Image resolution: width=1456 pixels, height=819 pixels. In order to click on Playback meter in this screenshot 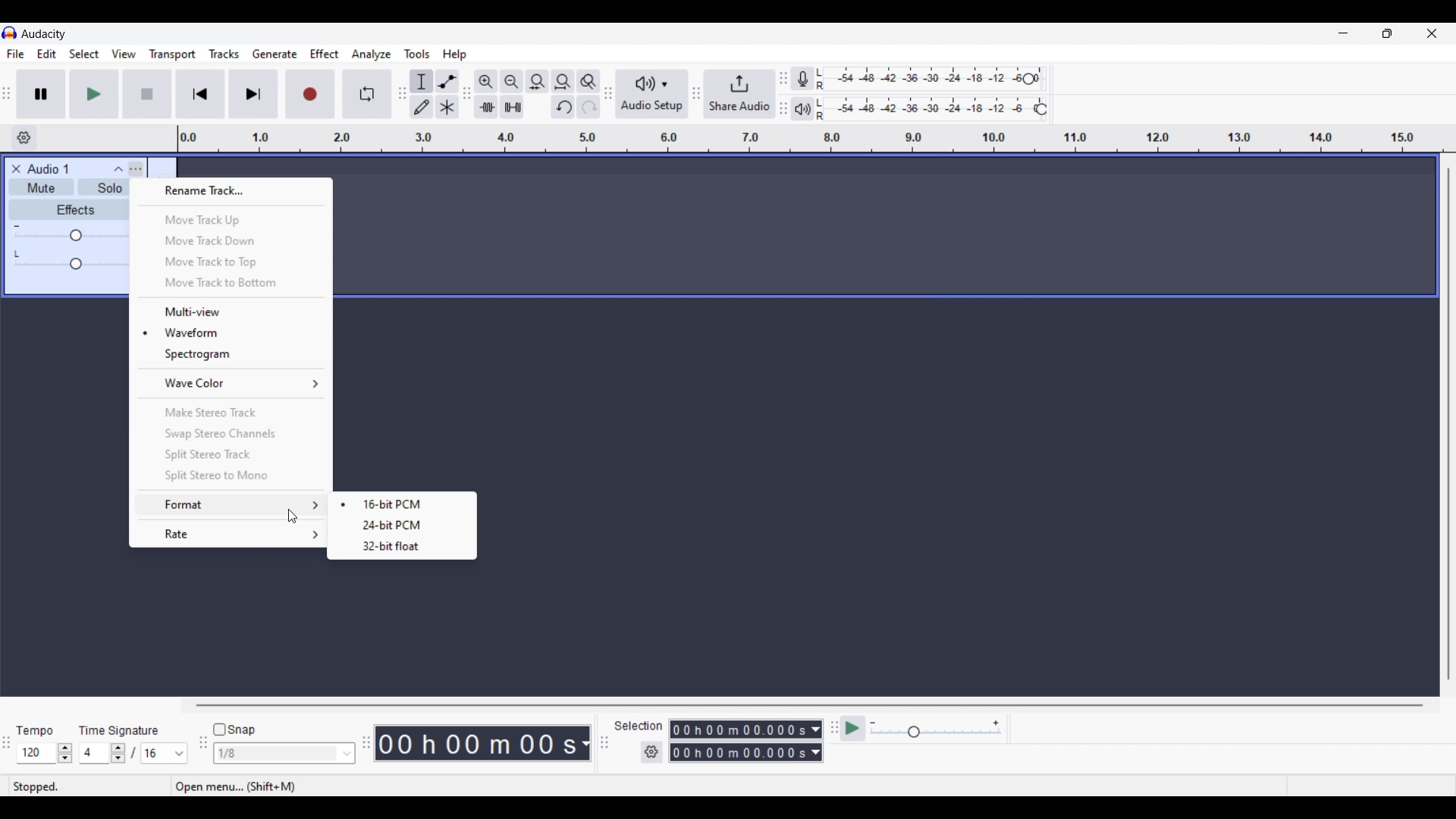, I will do `click(810, 108)`.